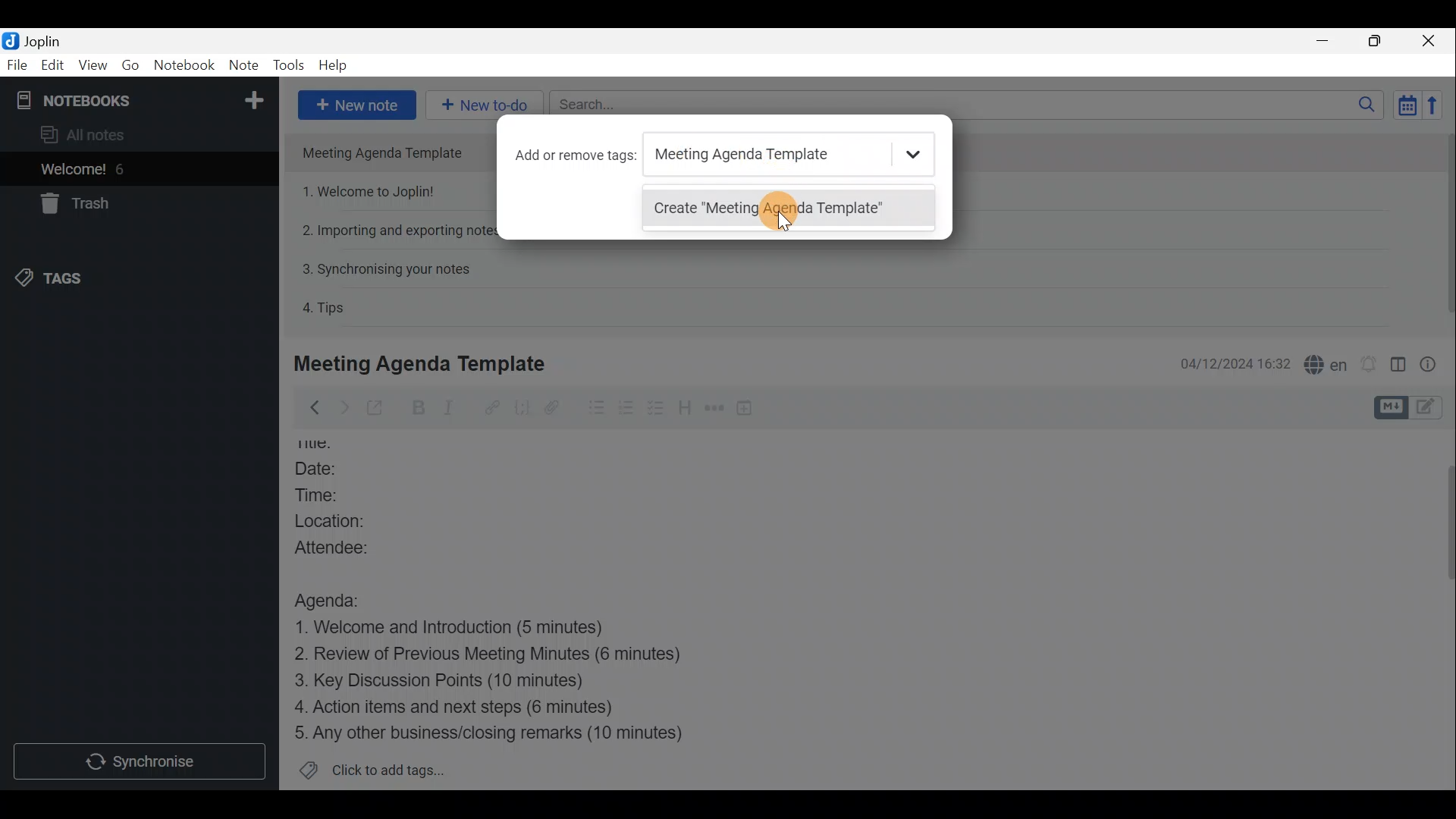  I want to click on Bold, so click(419, 408).